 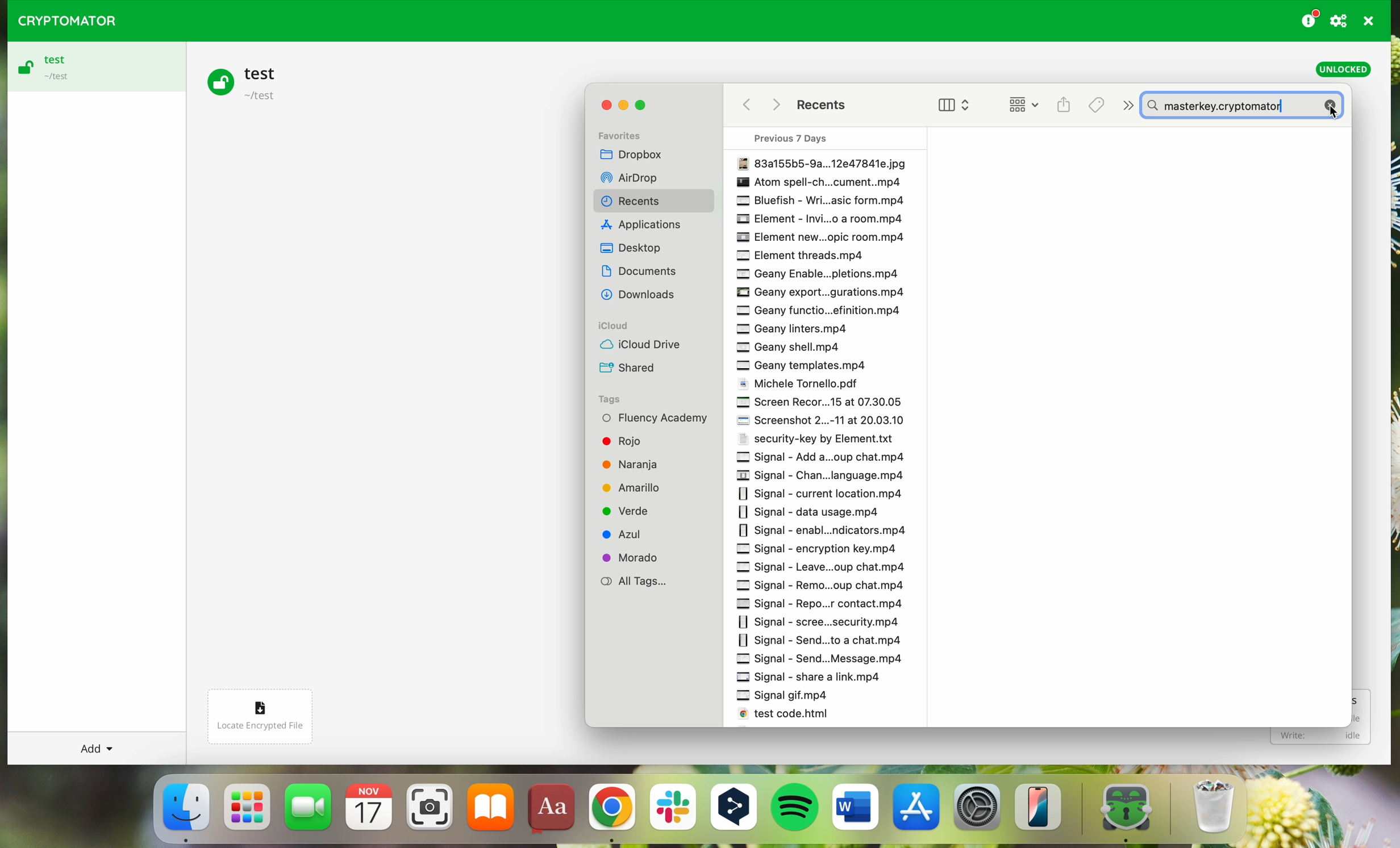 What do you see at coordinates (1043, 811) in the screenshot?
I see `iphone mirroning` at bounding box center [1043, 811].